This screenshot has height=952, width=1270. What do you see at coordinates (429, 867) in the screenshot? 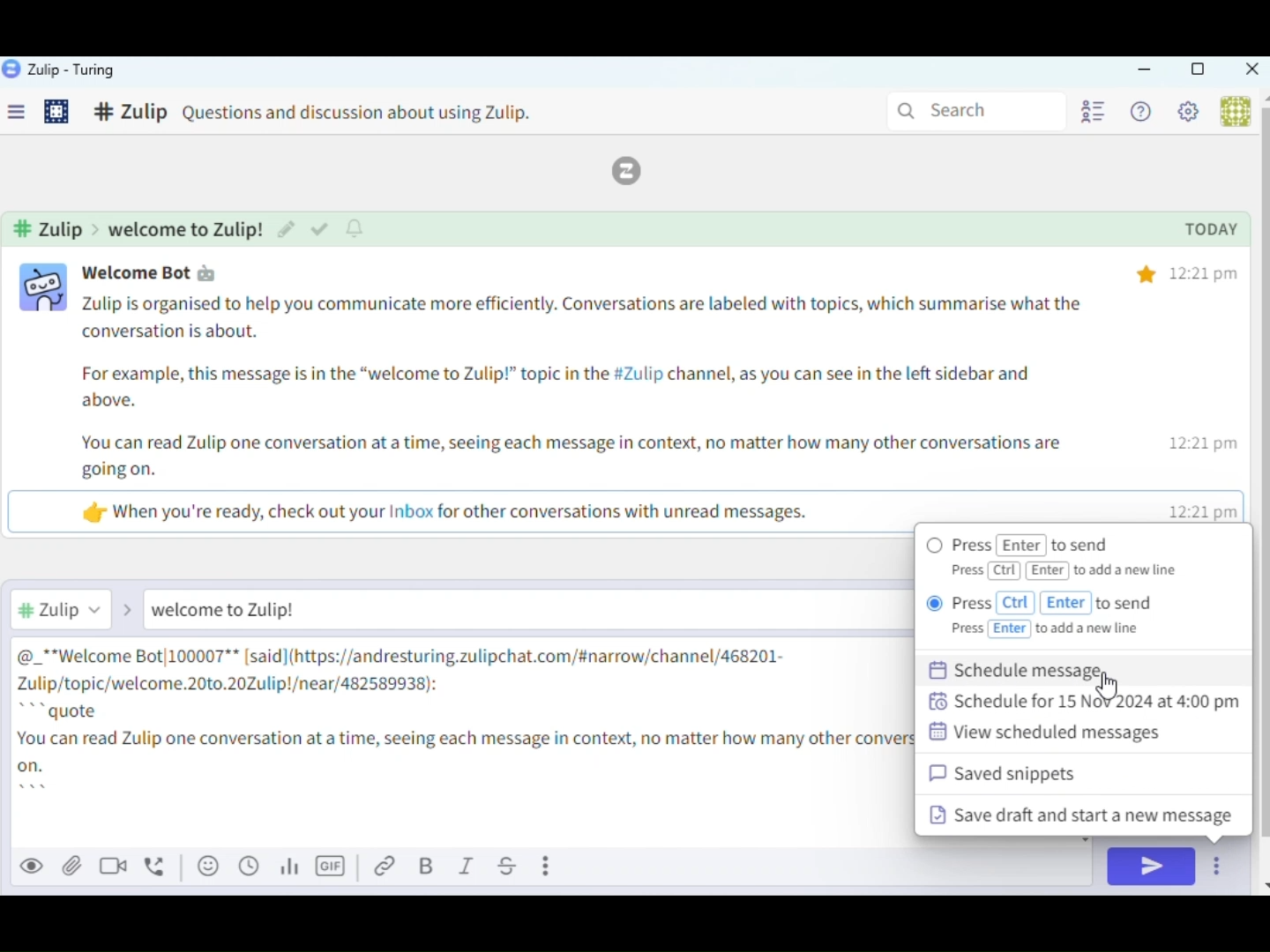
I see `Bold` at bounding box center [429, 867].